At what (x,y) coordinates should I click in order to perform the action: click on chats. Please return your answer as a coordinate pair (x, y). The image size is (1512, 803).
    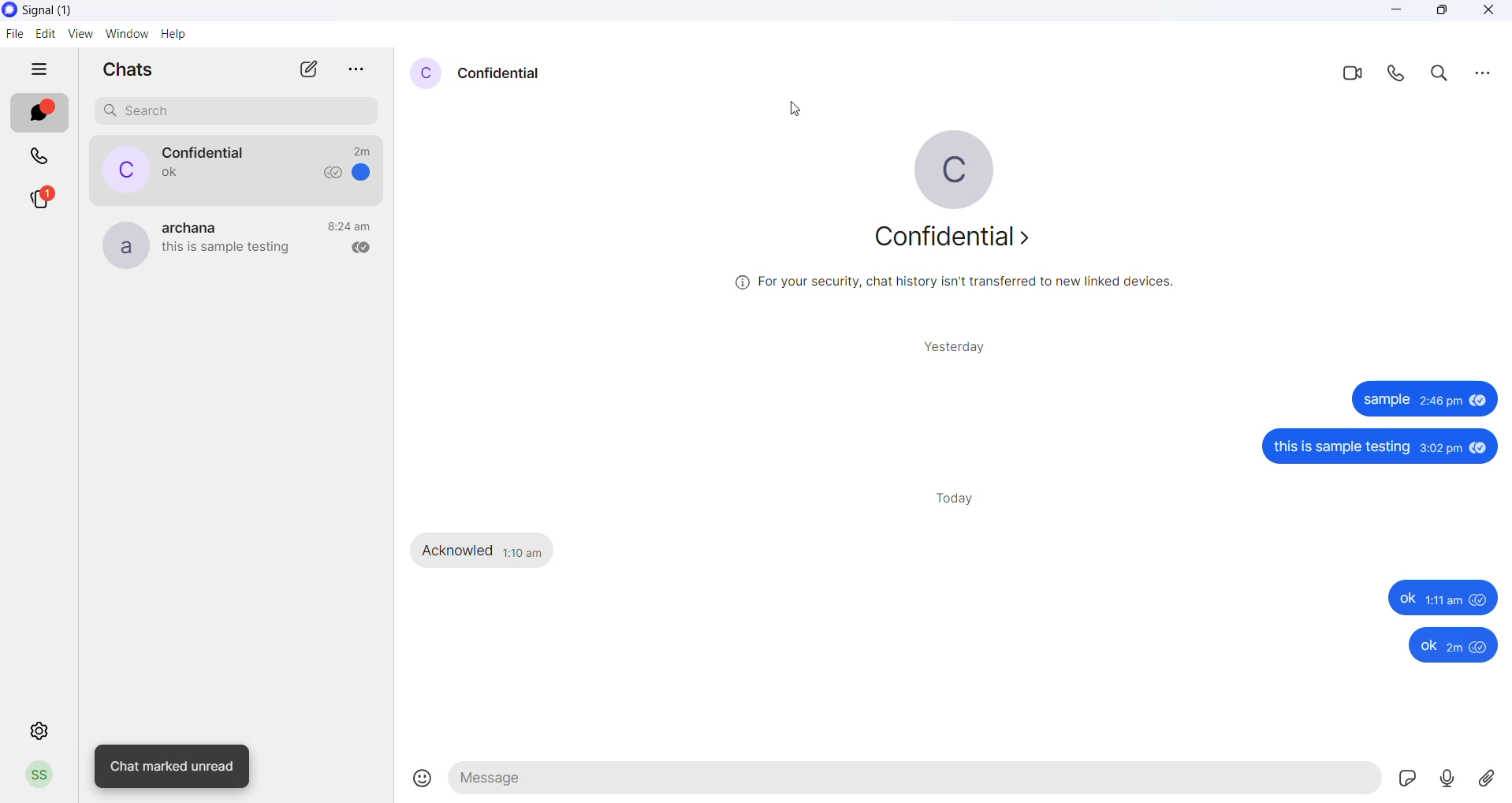
    Looking at the image, I should click on (42, 114).